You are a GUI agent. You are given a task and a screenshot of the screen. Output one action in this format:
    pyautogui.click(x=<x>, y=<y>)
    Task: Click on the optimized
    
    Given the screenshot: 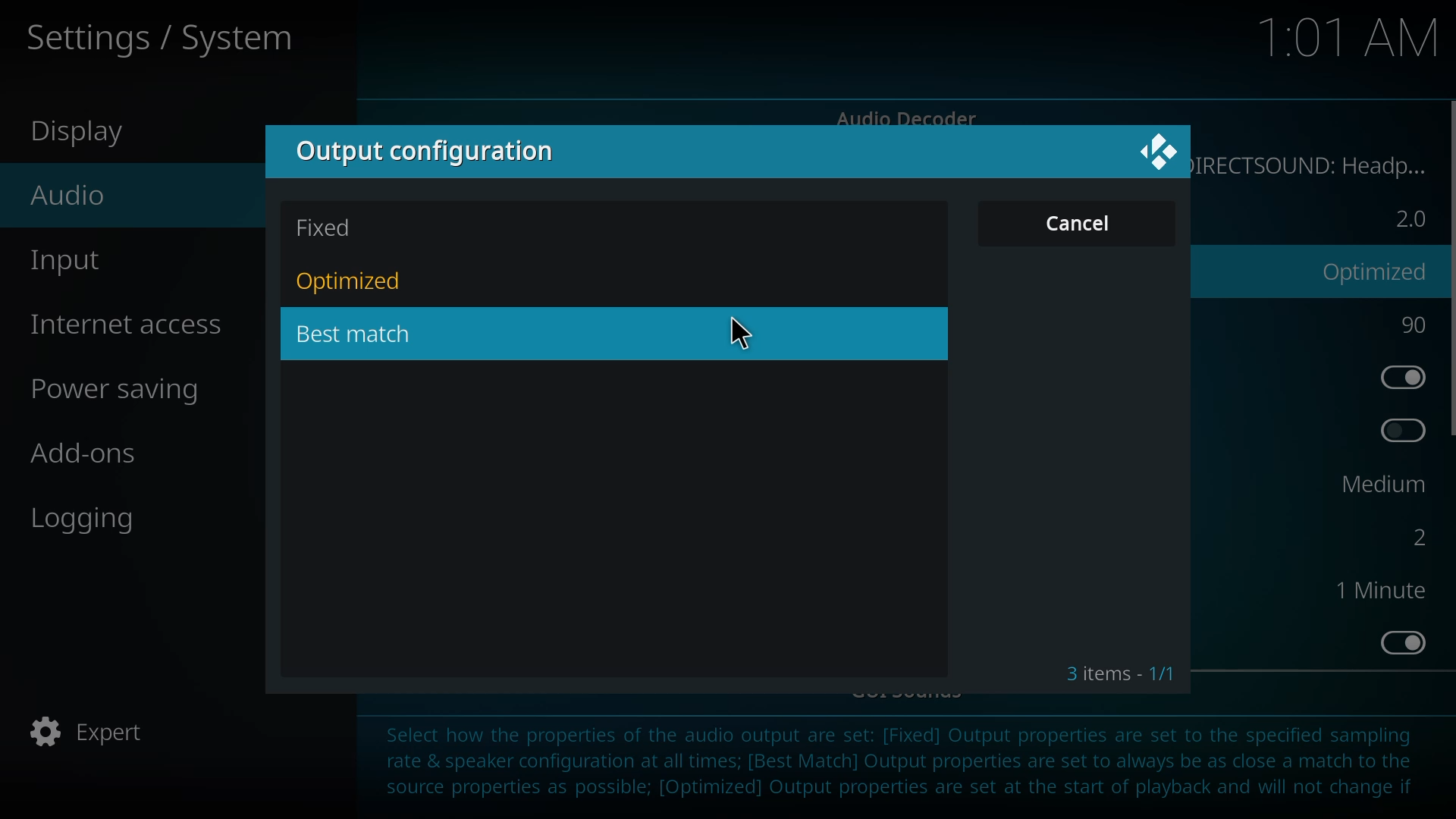 What is the action you would take?
    pyautogui.click(x=1377, y=271)
    